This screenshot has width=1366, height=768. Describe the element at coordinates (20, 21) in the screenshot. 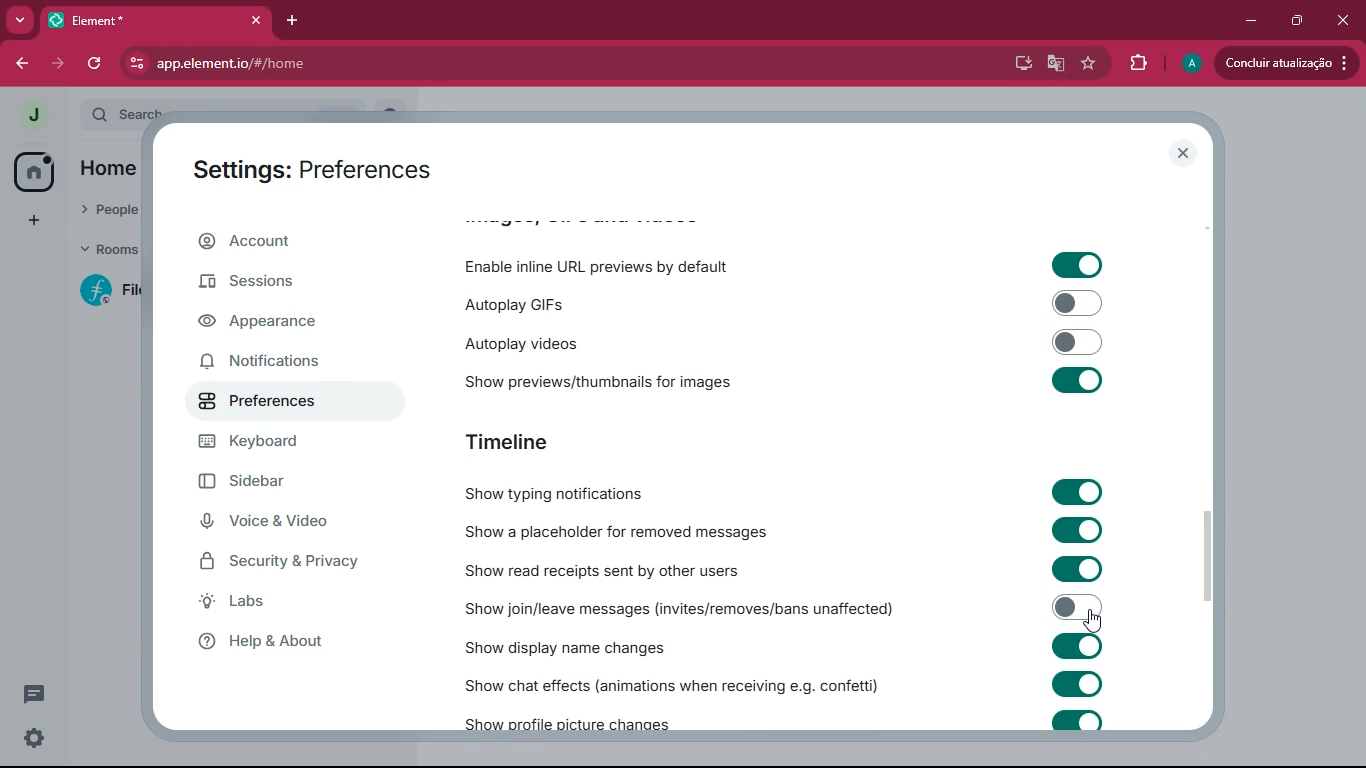

I see `more` at that location.